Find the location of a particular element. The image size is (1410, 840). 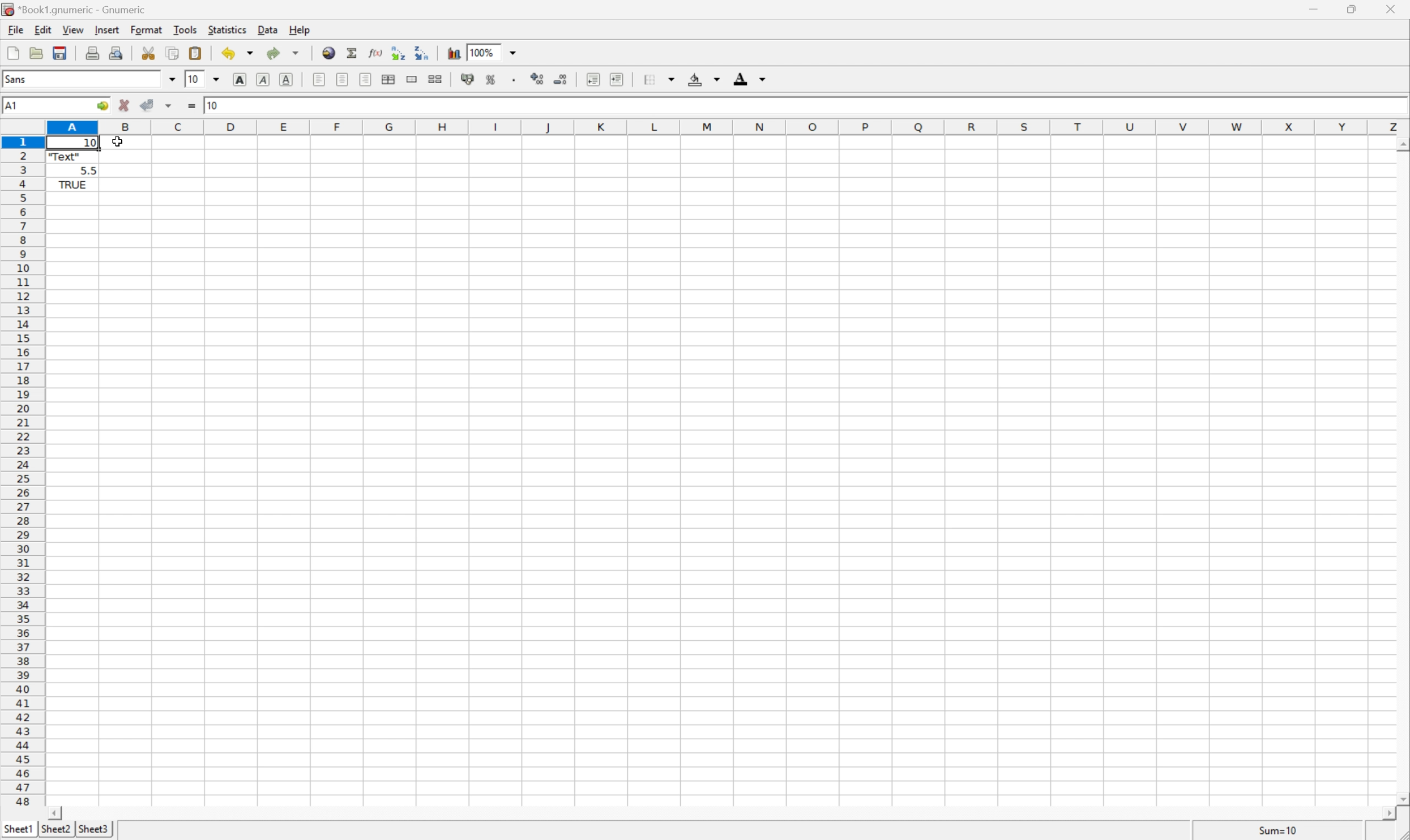

Open a file is located at coordinates (39, 54).